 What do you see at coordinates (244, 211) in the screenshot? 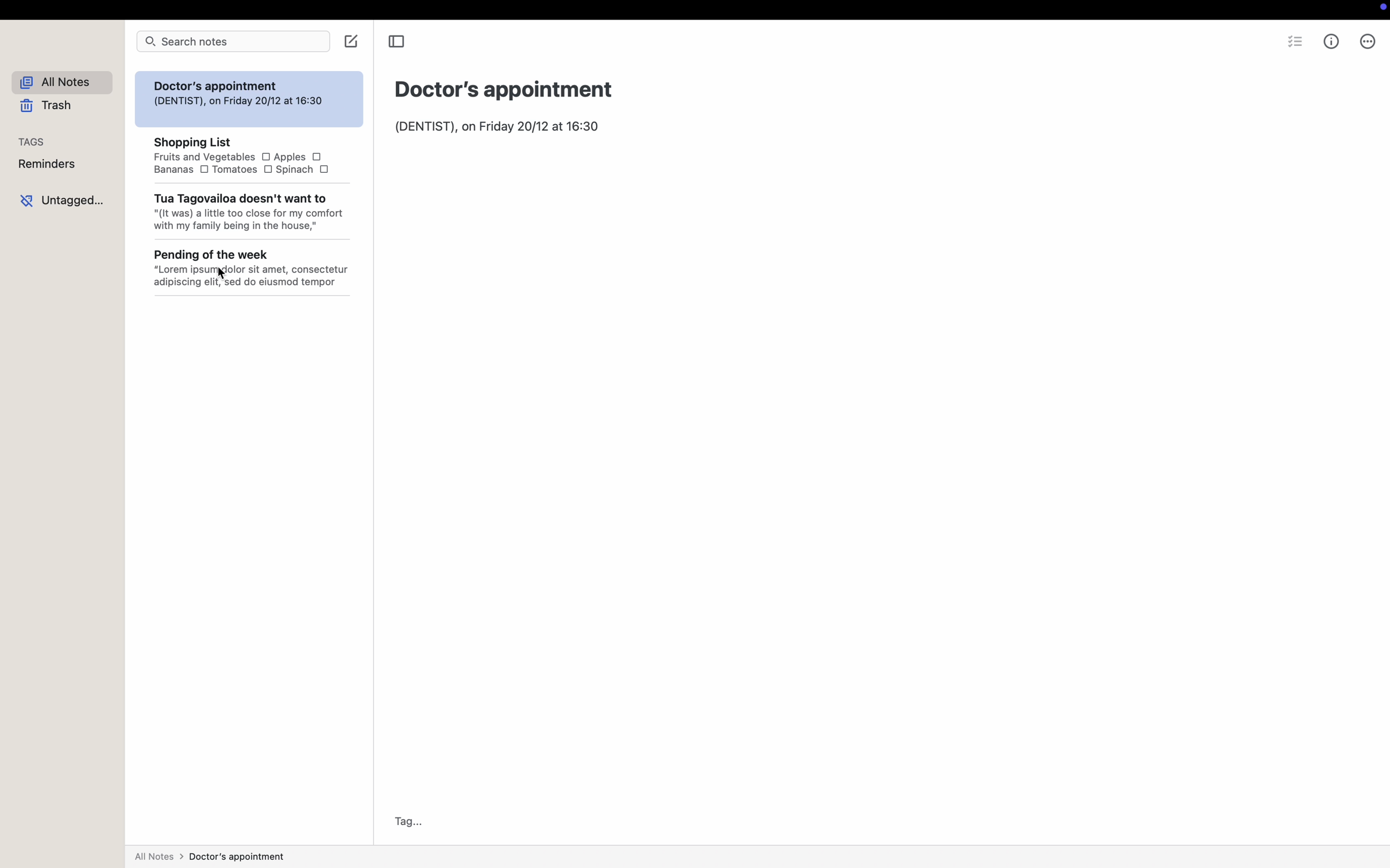
I see `Tua Tagovailoa doesn't want to
"(It was) a little too close for my comfort
with my family being in the house,"` at bounding box center [244, 211].